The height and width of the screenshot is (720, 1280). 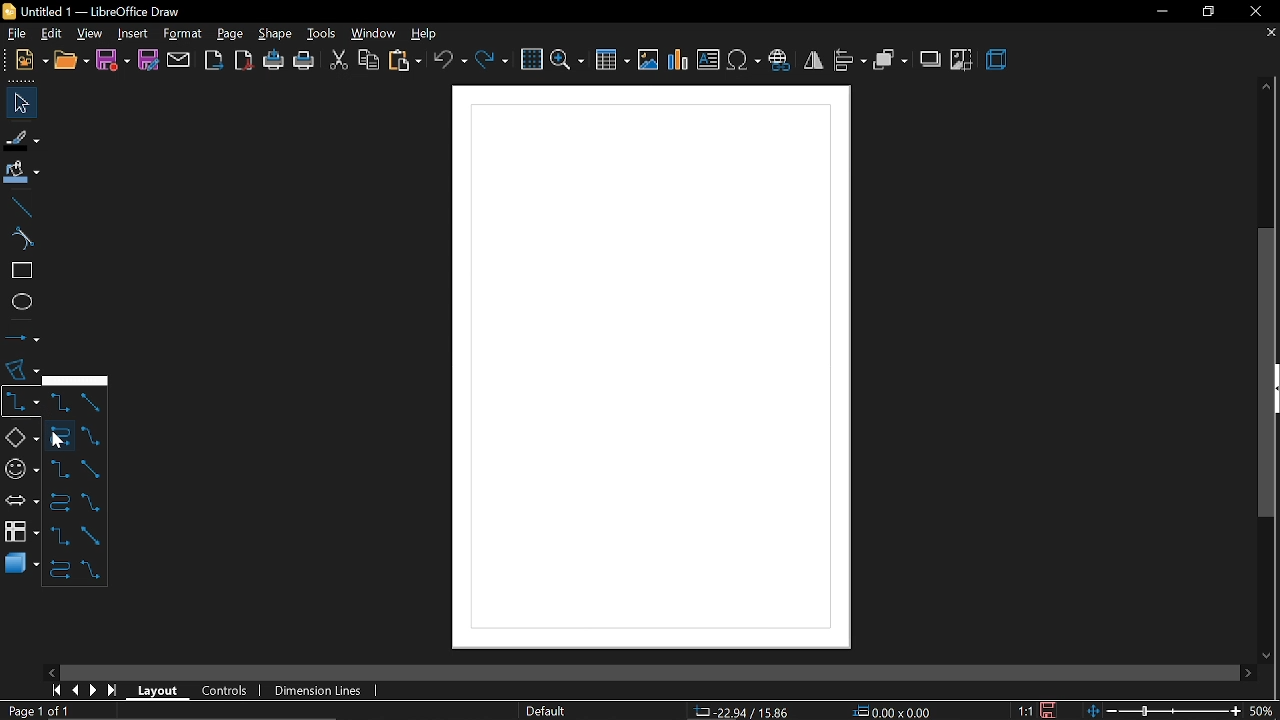 I want to click on export as pdf, so click(x=244, y=62).